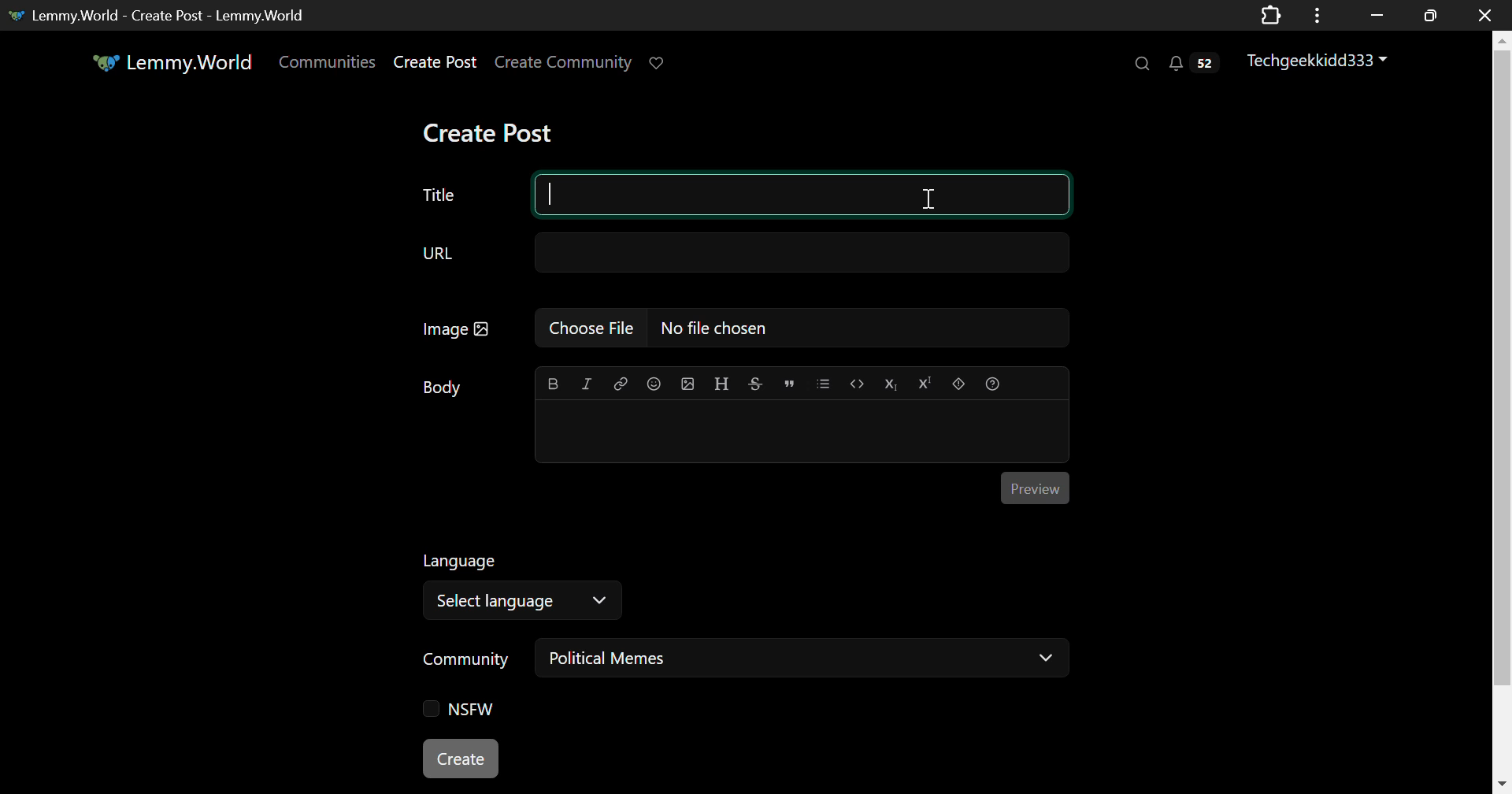 This screenshot has width=1512, height=794. Describe the element at coordinates (824, 383) in the screenshot. I see `List` at that location.